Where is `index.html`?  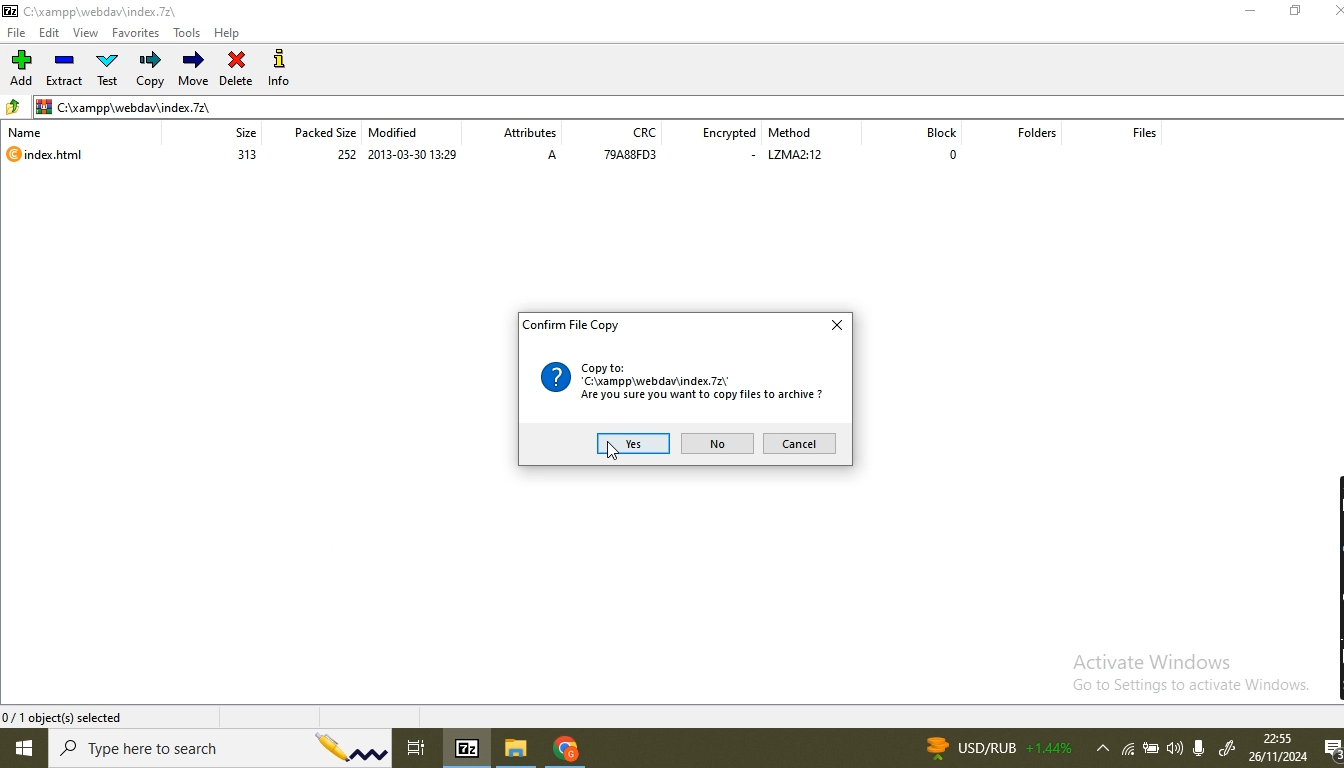
index.html is located at coordinates (57, 155).